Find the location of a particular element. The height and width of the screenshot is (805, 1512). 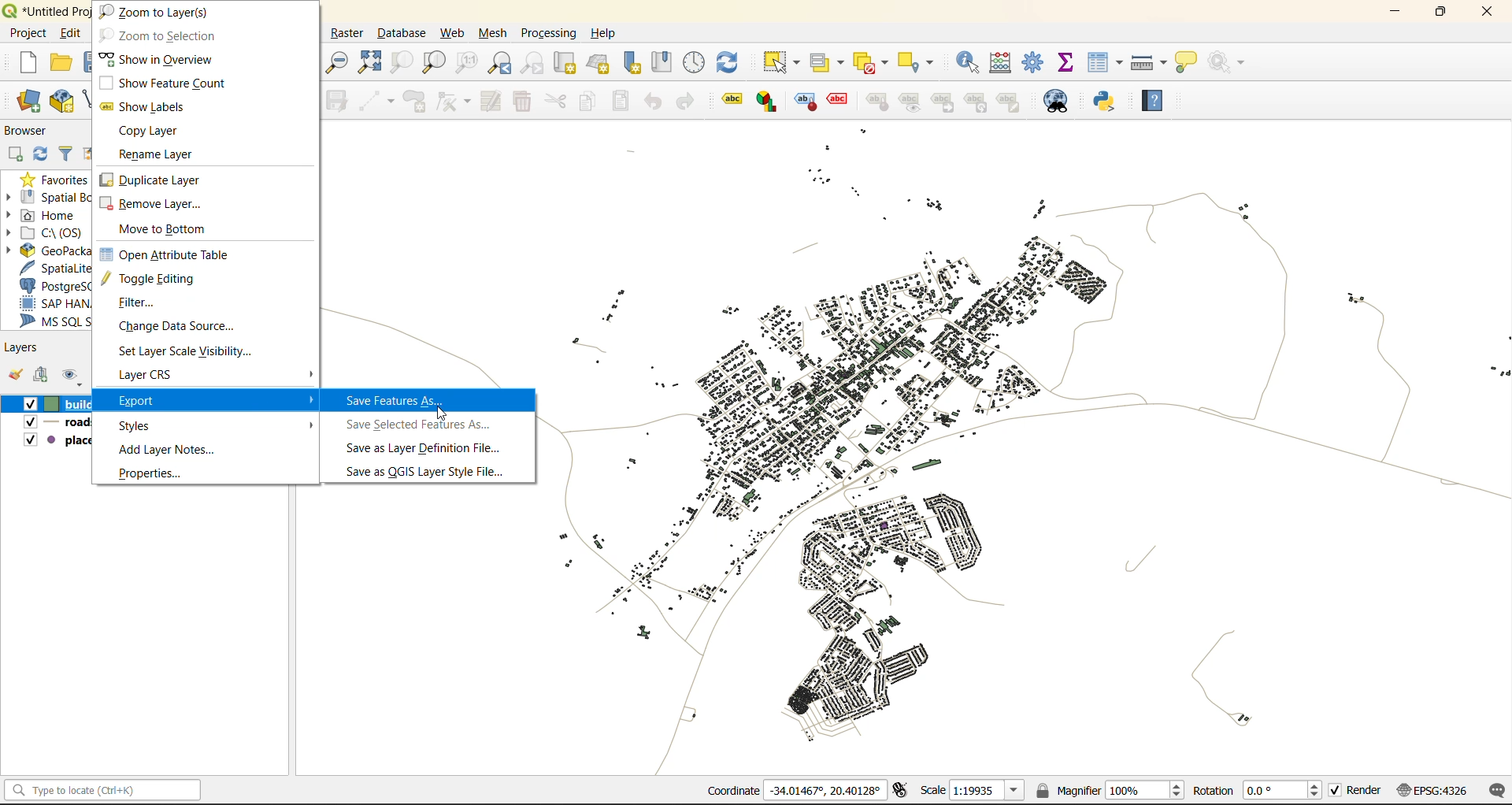

help is located at coordinates (1154, 101).